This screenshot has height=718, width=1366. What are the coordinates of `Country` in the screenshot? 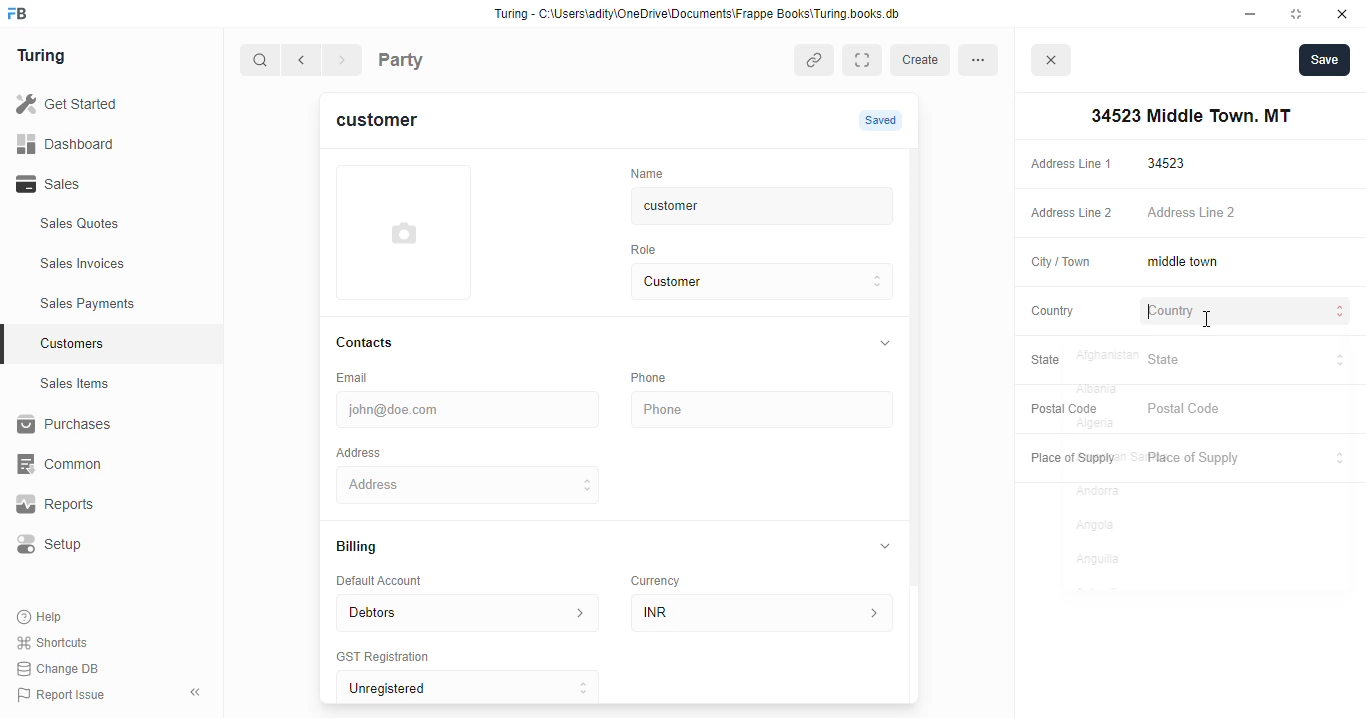 It's located at (1051, 310).